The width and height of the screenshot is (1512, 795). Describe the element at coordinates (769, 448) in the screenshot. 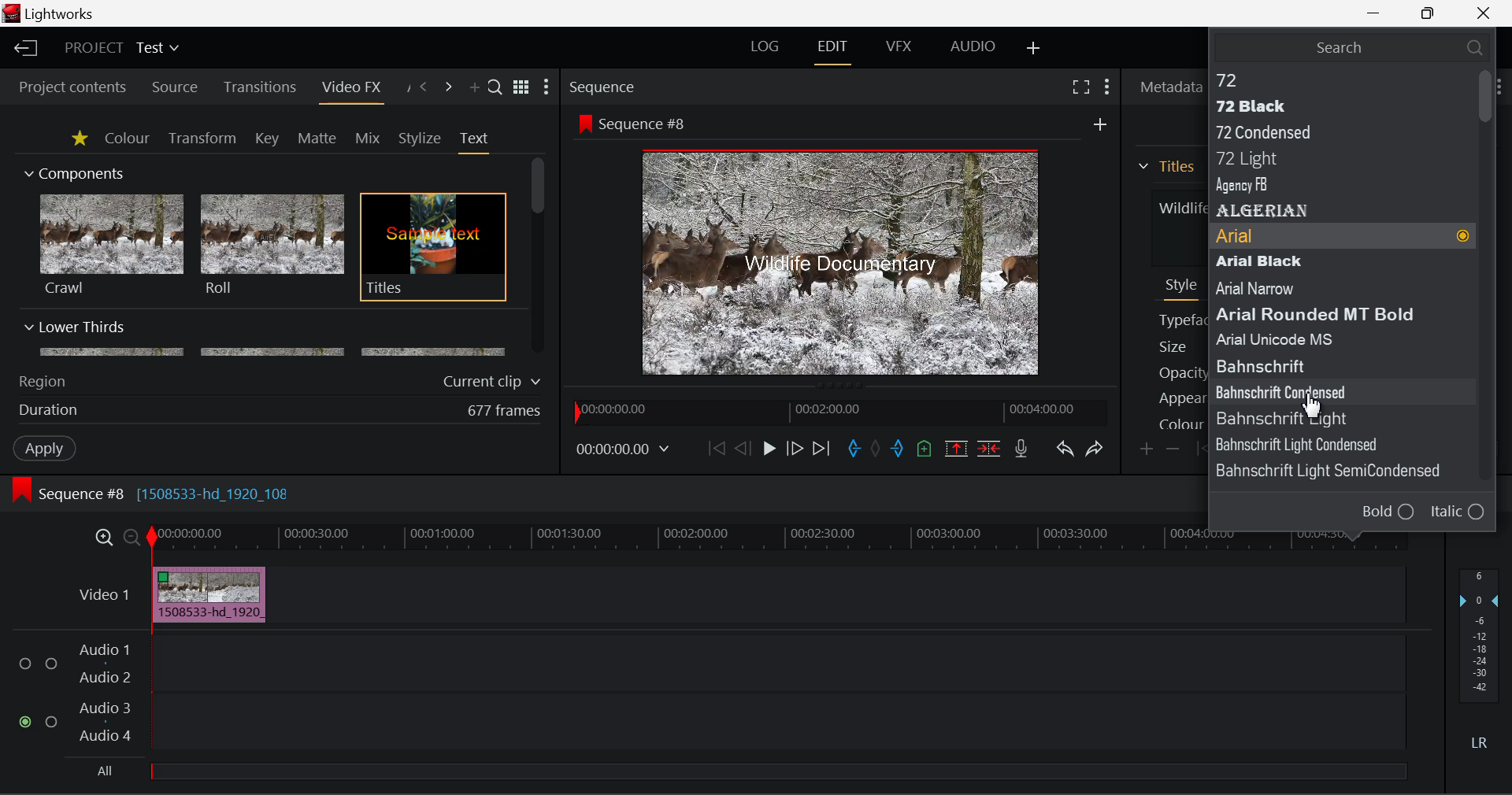

I see `Play` at that location.